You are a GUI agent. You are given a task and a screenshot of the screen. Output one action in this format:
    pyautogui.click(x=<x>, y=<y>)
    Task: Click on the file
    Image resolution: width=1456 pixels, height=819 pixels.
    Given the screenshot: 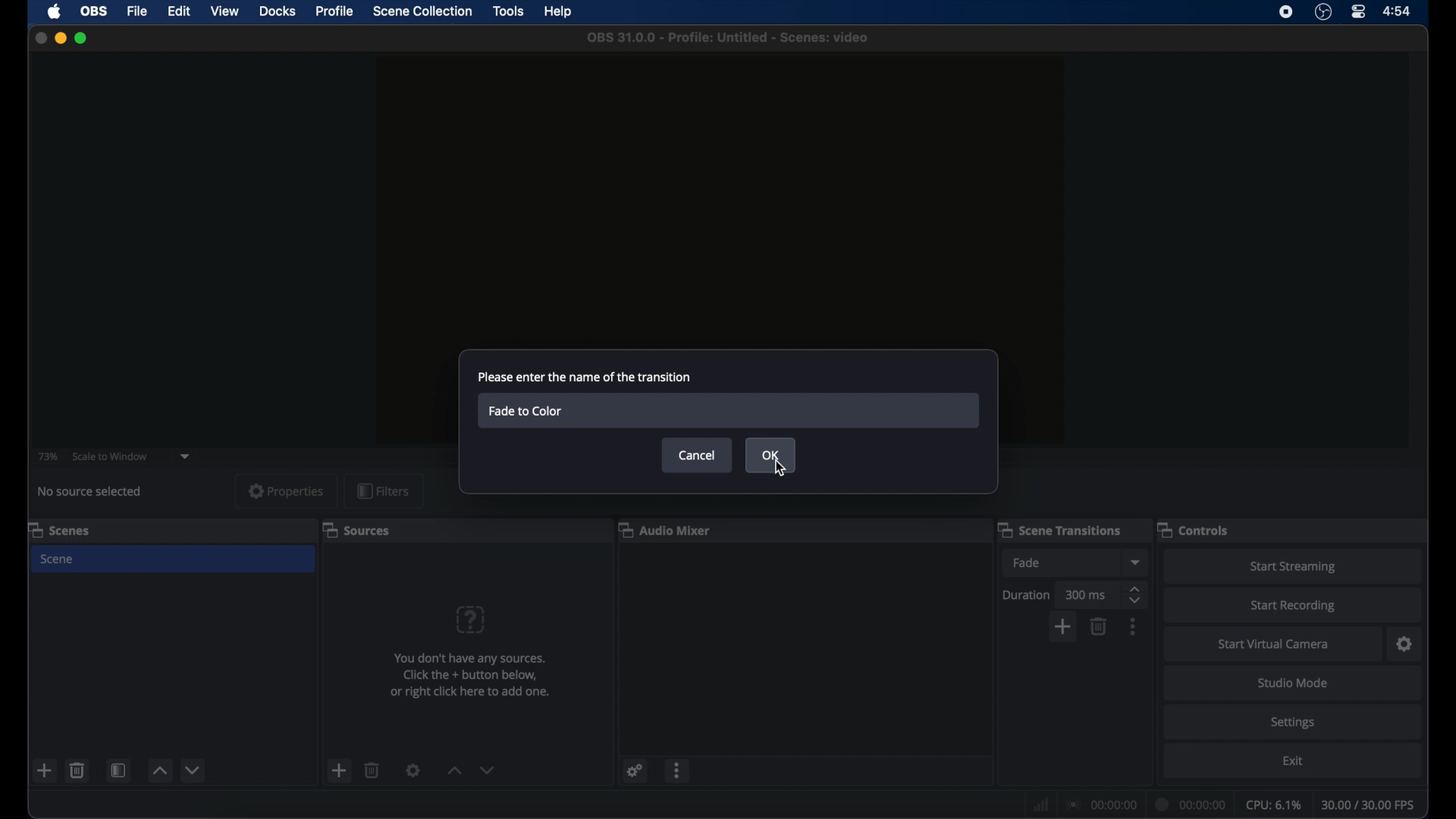 What is the action you would take?
    pyautogui.click(x=140, y=11)
    